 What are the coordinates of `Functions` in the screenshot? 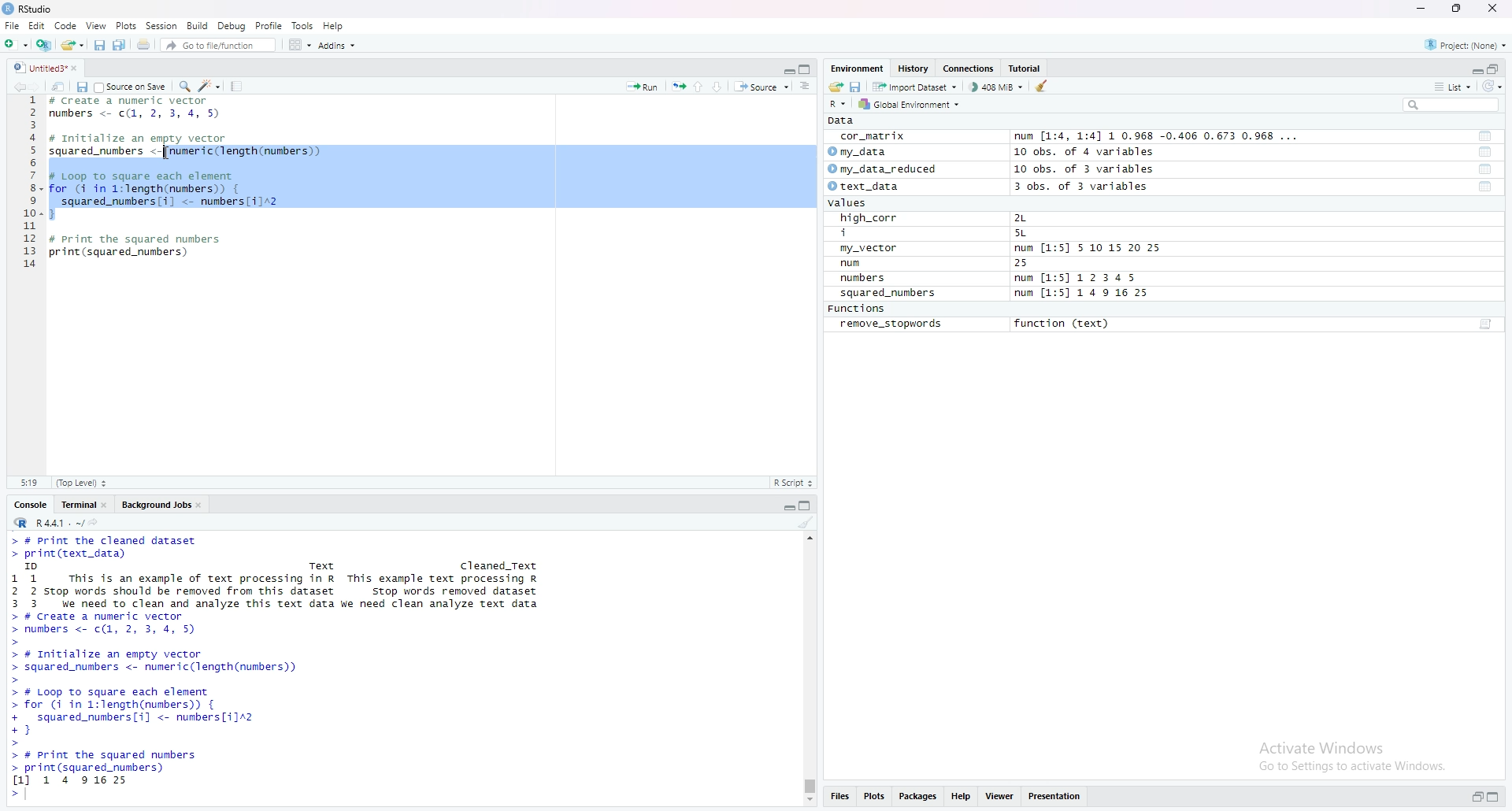 It's located at (859, 309).